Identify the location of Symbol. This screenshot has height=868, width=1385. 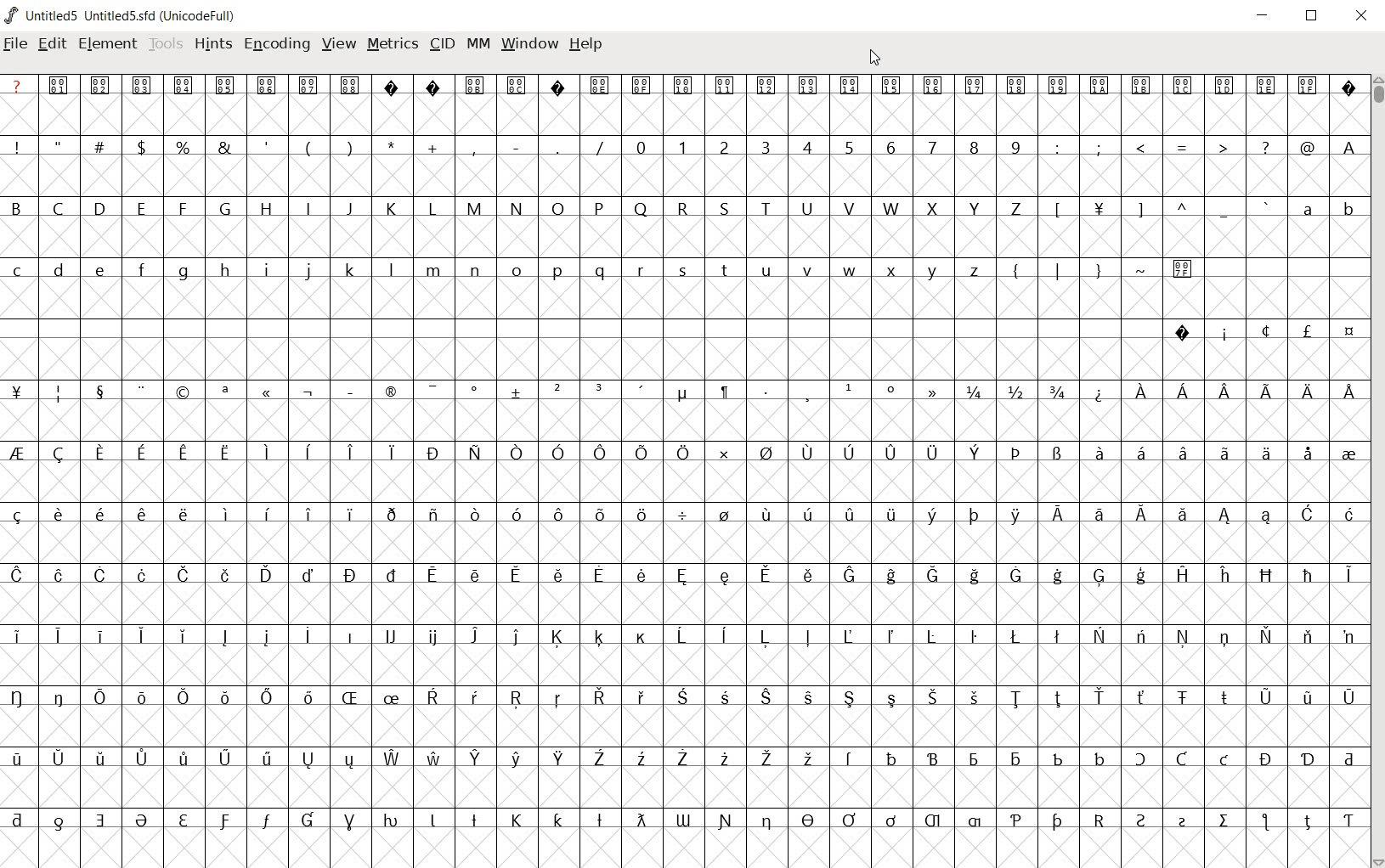
(641, 513).